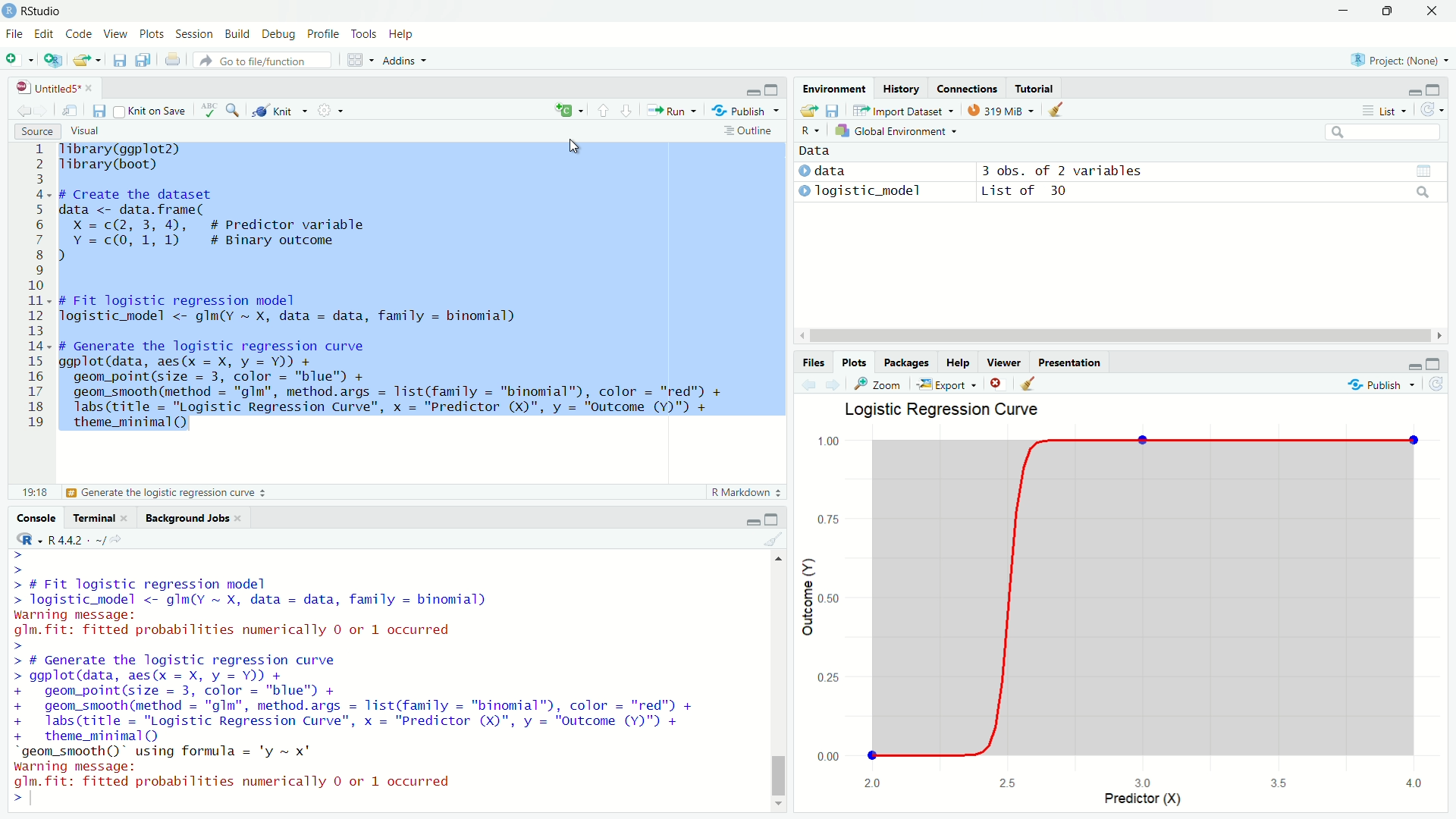  What do you see at coordinates (19, 61) in the screenshot?
I see `New file` at bounding box center [19, 61].